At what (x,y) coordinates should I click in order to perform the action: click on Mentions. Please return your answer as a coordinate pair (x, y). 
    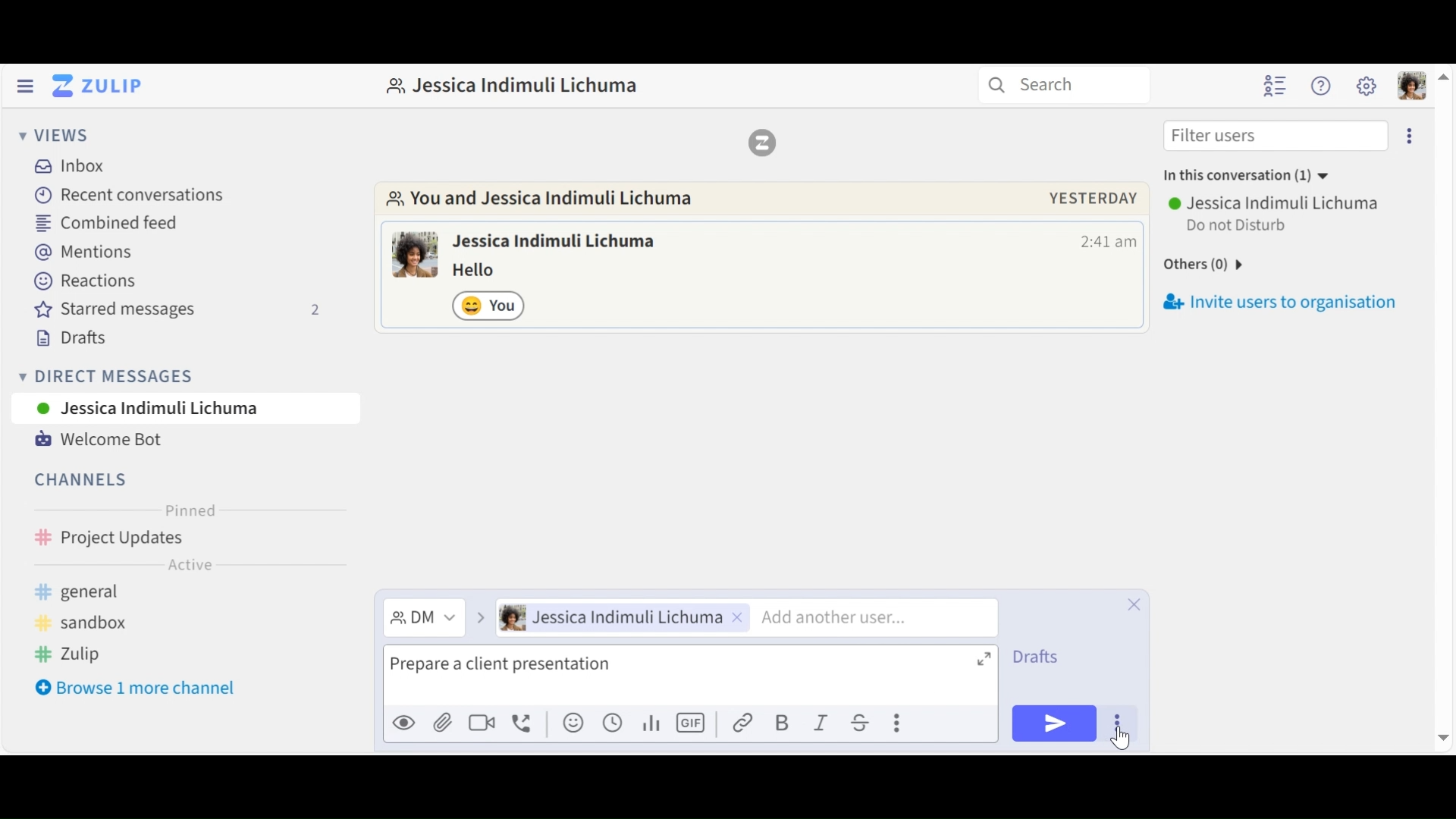
    Looking at the image, I should click on (86, 253).